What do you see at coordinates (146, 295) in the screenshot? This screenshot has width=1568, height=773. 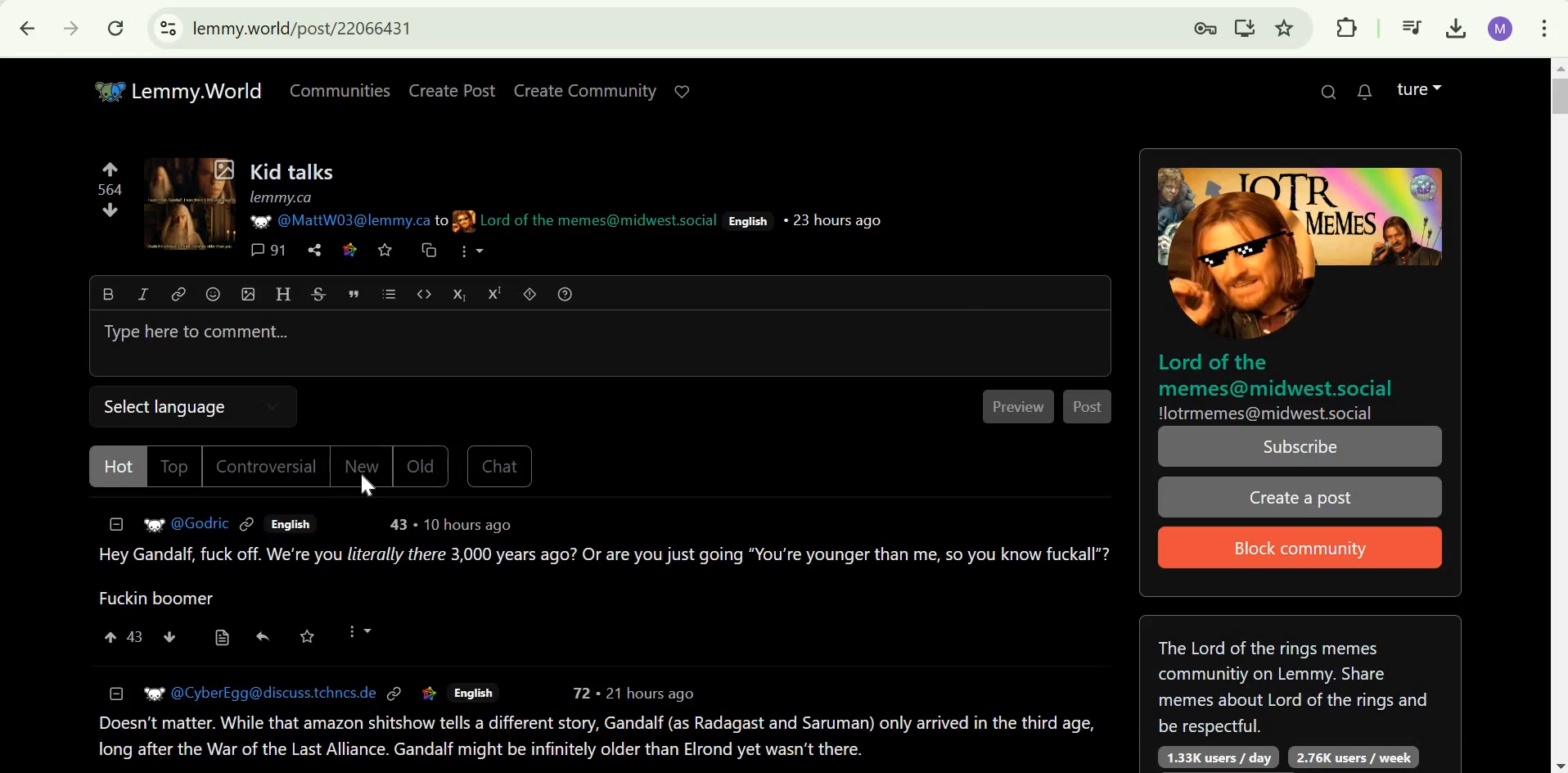 I see `Italic` at bounding box center [146, 295].